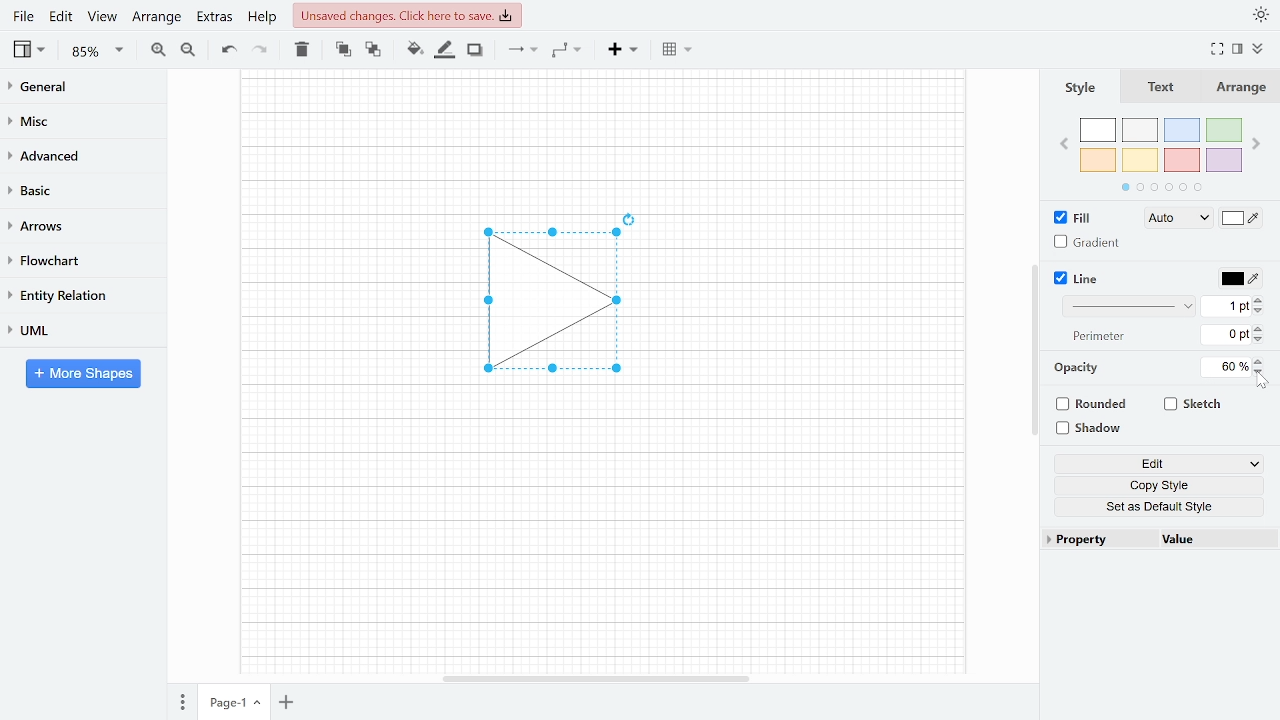  Describe the element at coordinates (1223, 366) in the screenshot. I see `Current Opacity` at that location.